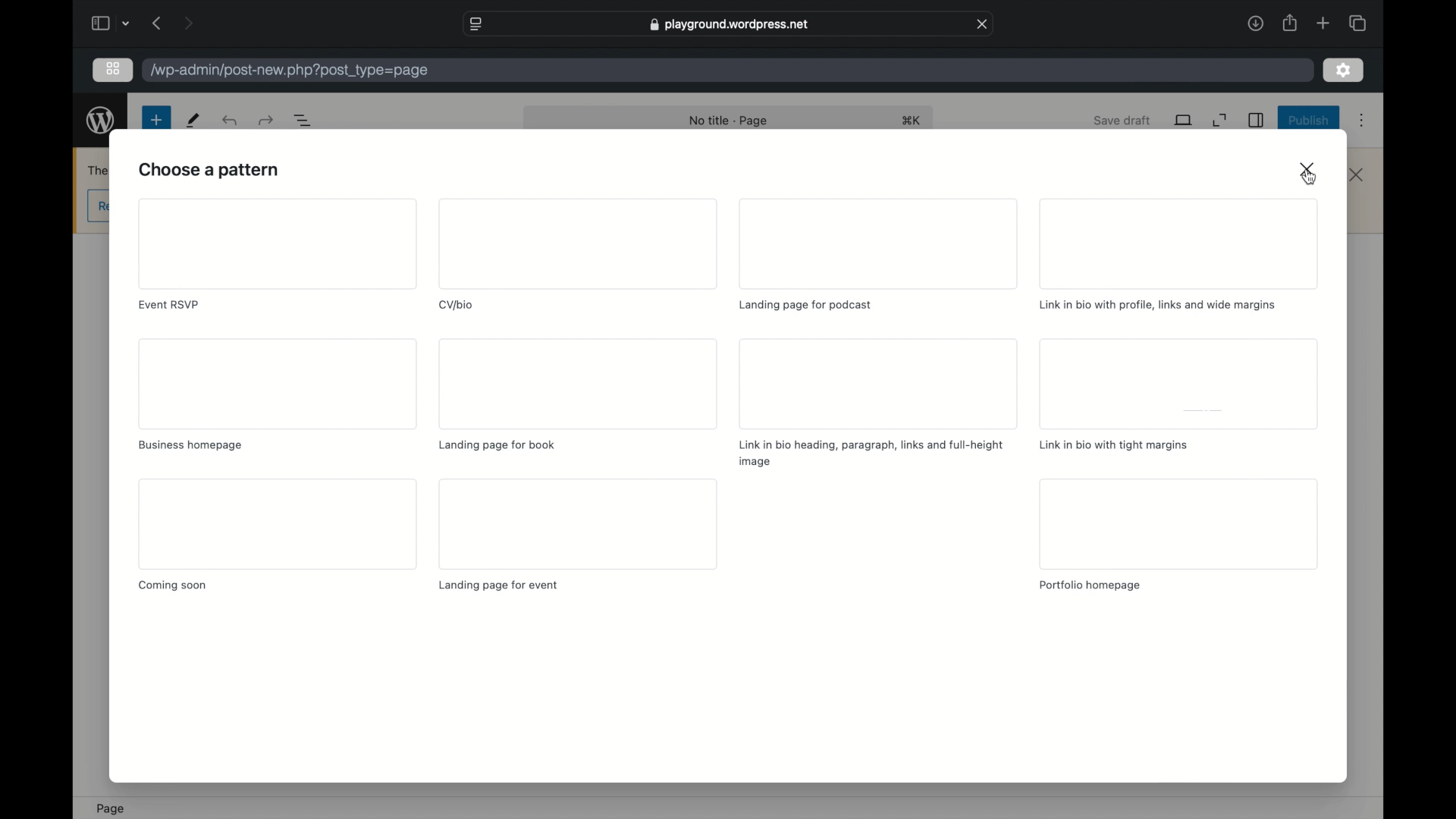 The height and width of the screenshot is (819, 1456). What do you see at coordinates (1360, 174) in the screenshot?
I see `close` at bounding box center [1360, 174].